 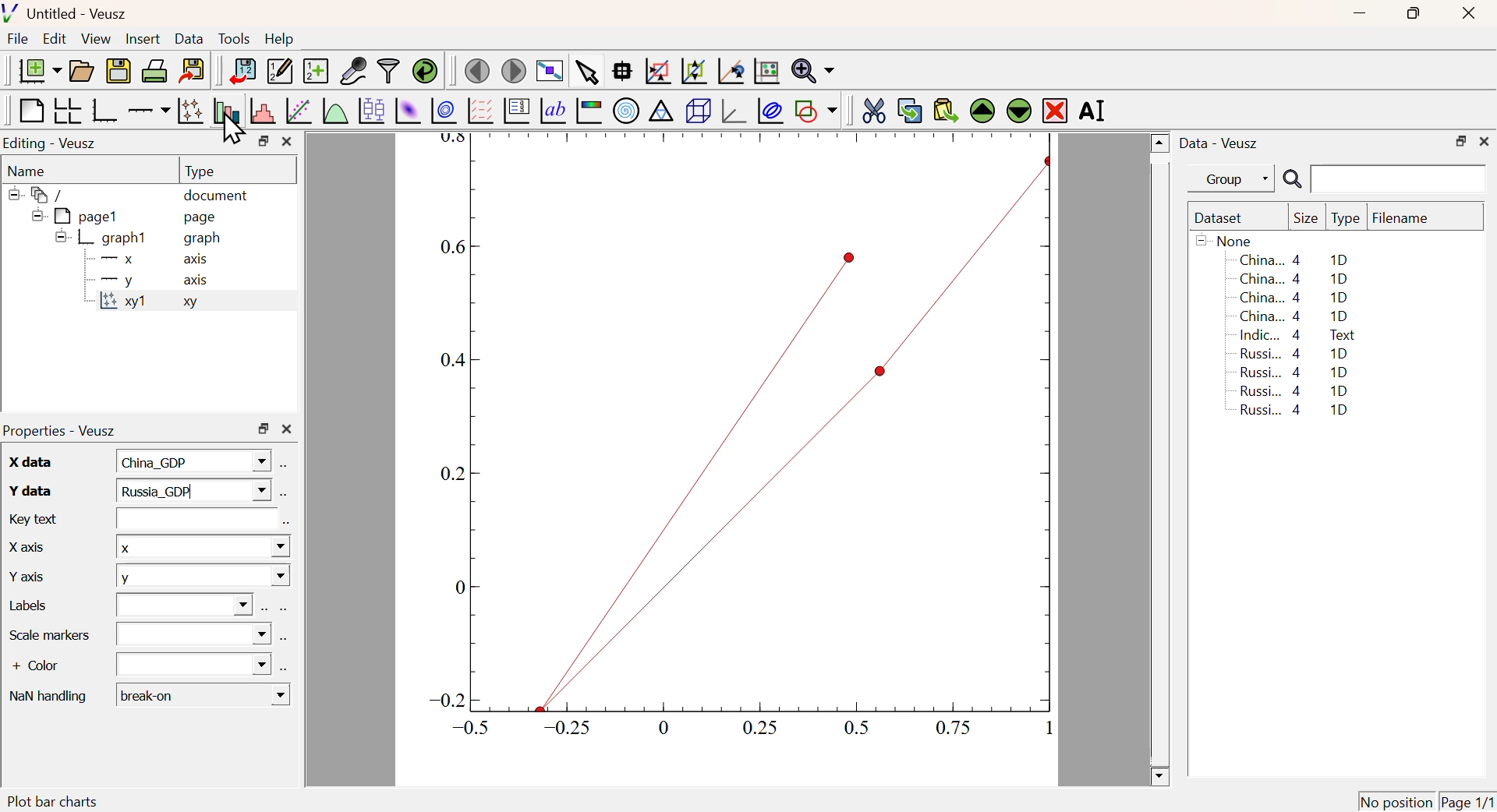 I want to click on y axis, so click(x=147, y=280).